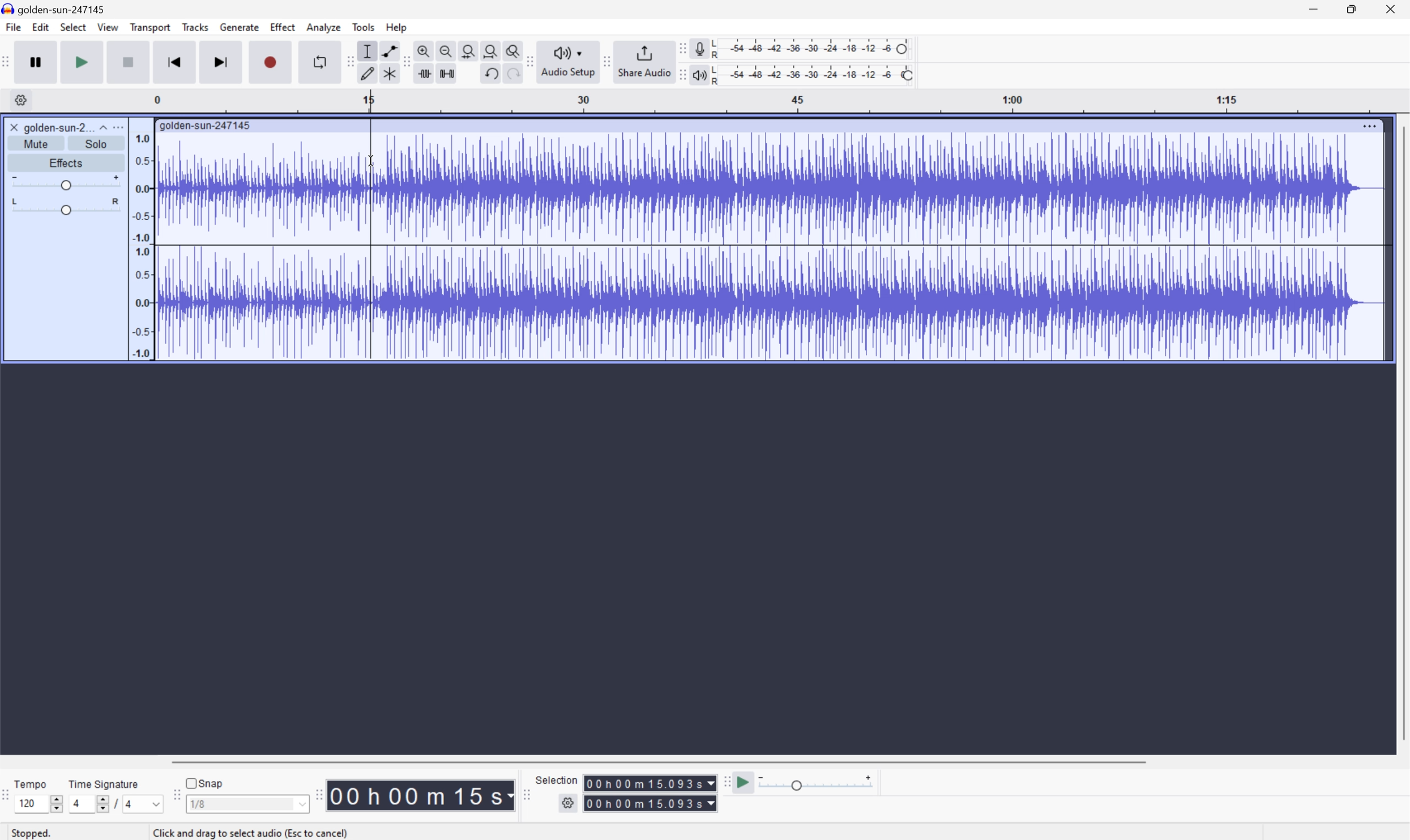 Image resolution: width=1410 pixels, height=840 pixels. What do you see at coordinates (656, 761) in the screenshot?
I see `Scroll bar` at bounding box center [656, 761].